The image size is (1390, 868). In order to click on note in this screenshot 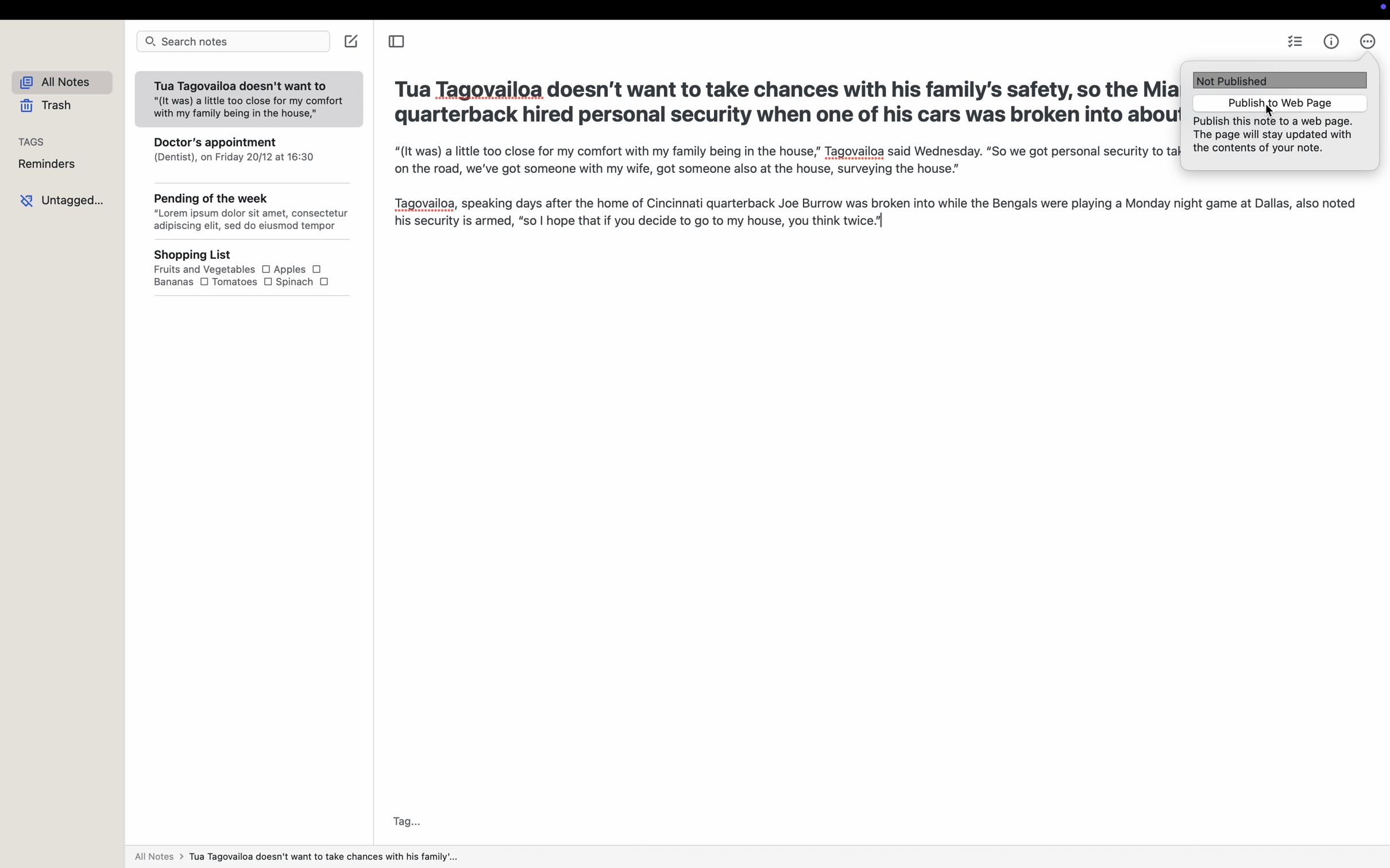, I will do `click(1277, 138)`.